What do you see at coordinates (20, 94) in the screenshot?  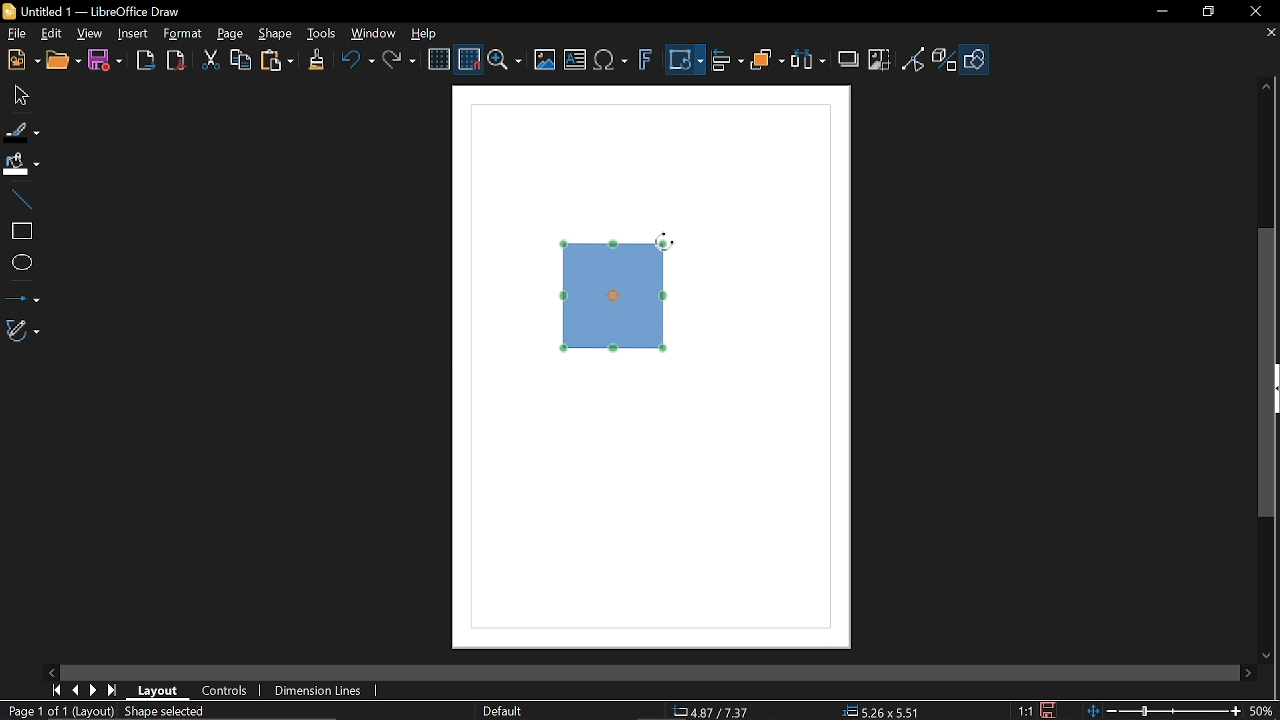 I see `Move` at bounding box center [20, 94].